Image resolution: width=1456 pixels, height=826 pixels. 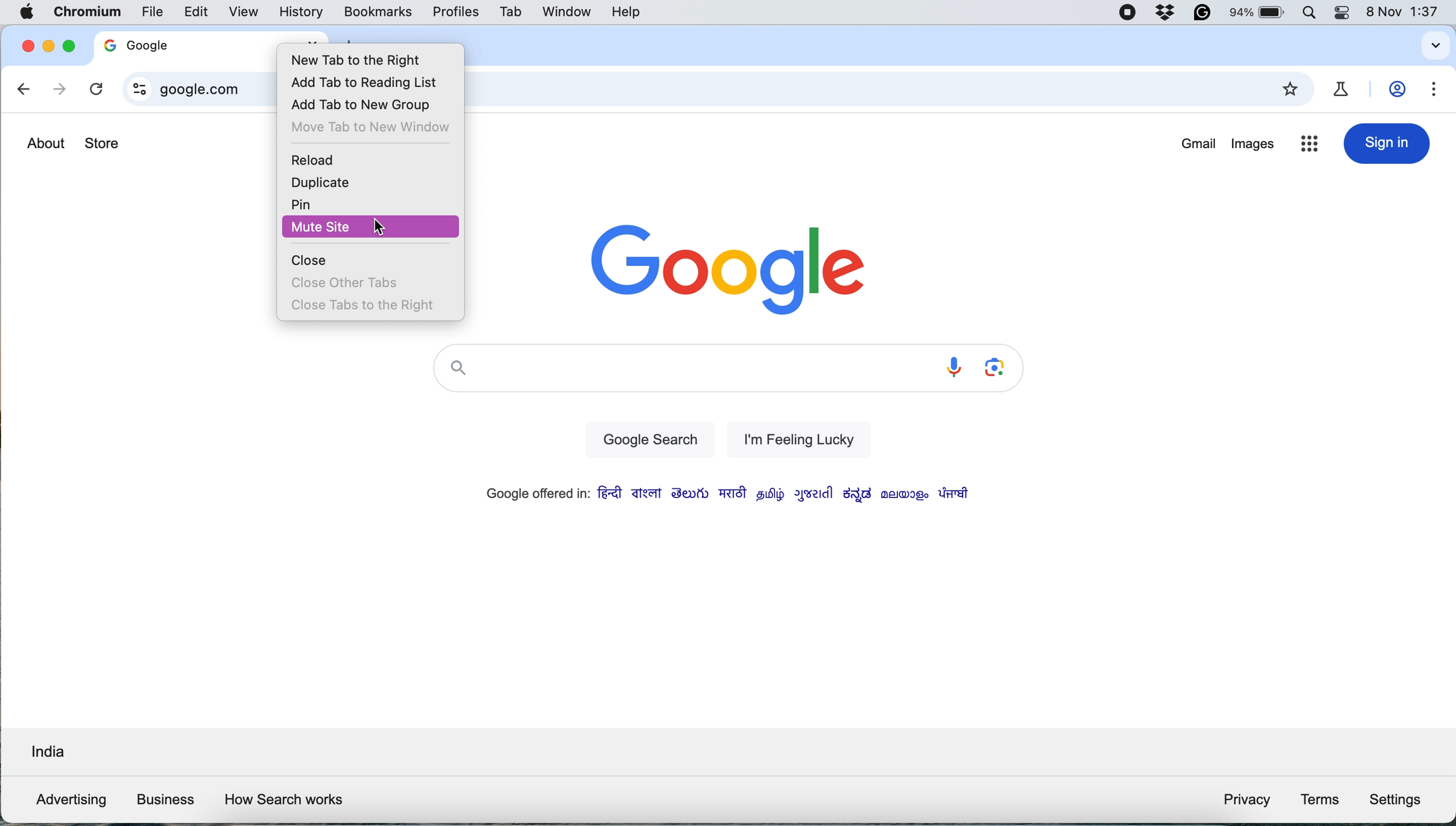 I want to click on about, so click(x=45, y=143).